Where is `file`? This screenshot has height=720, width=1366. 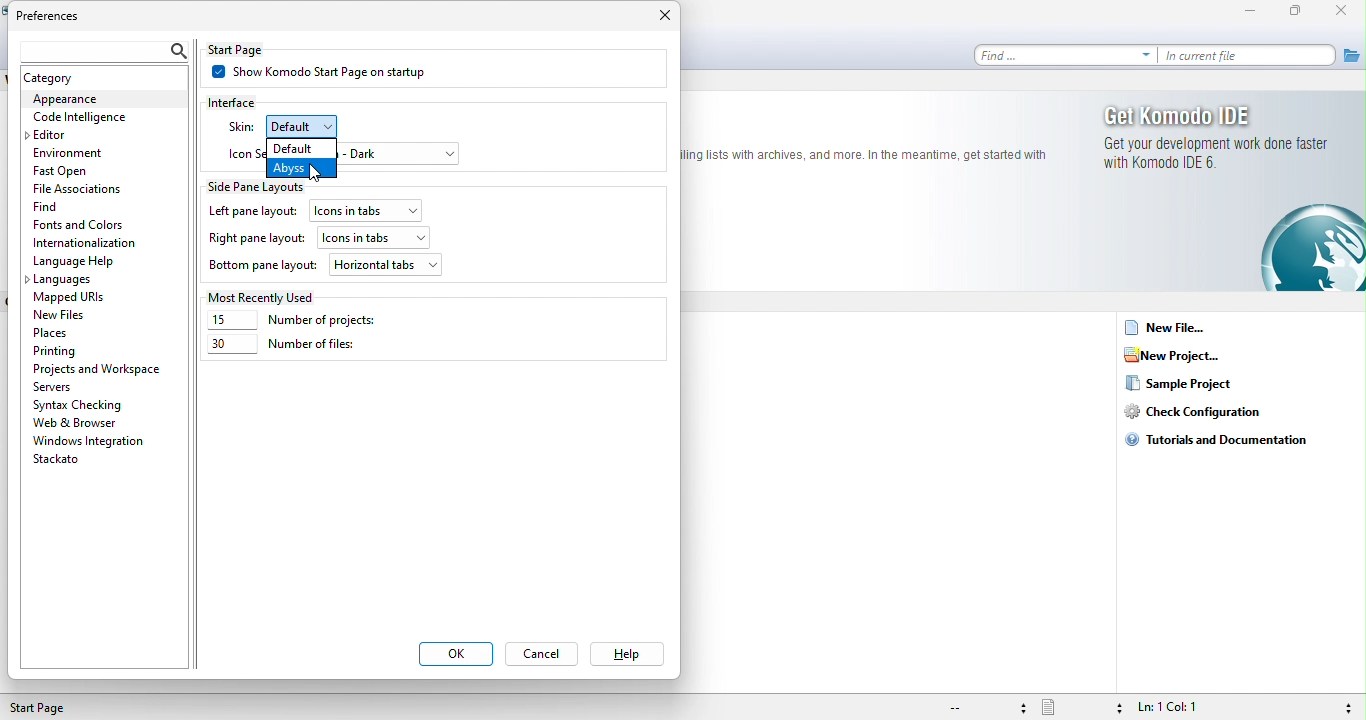 file is located at coordinates (1351, 54).